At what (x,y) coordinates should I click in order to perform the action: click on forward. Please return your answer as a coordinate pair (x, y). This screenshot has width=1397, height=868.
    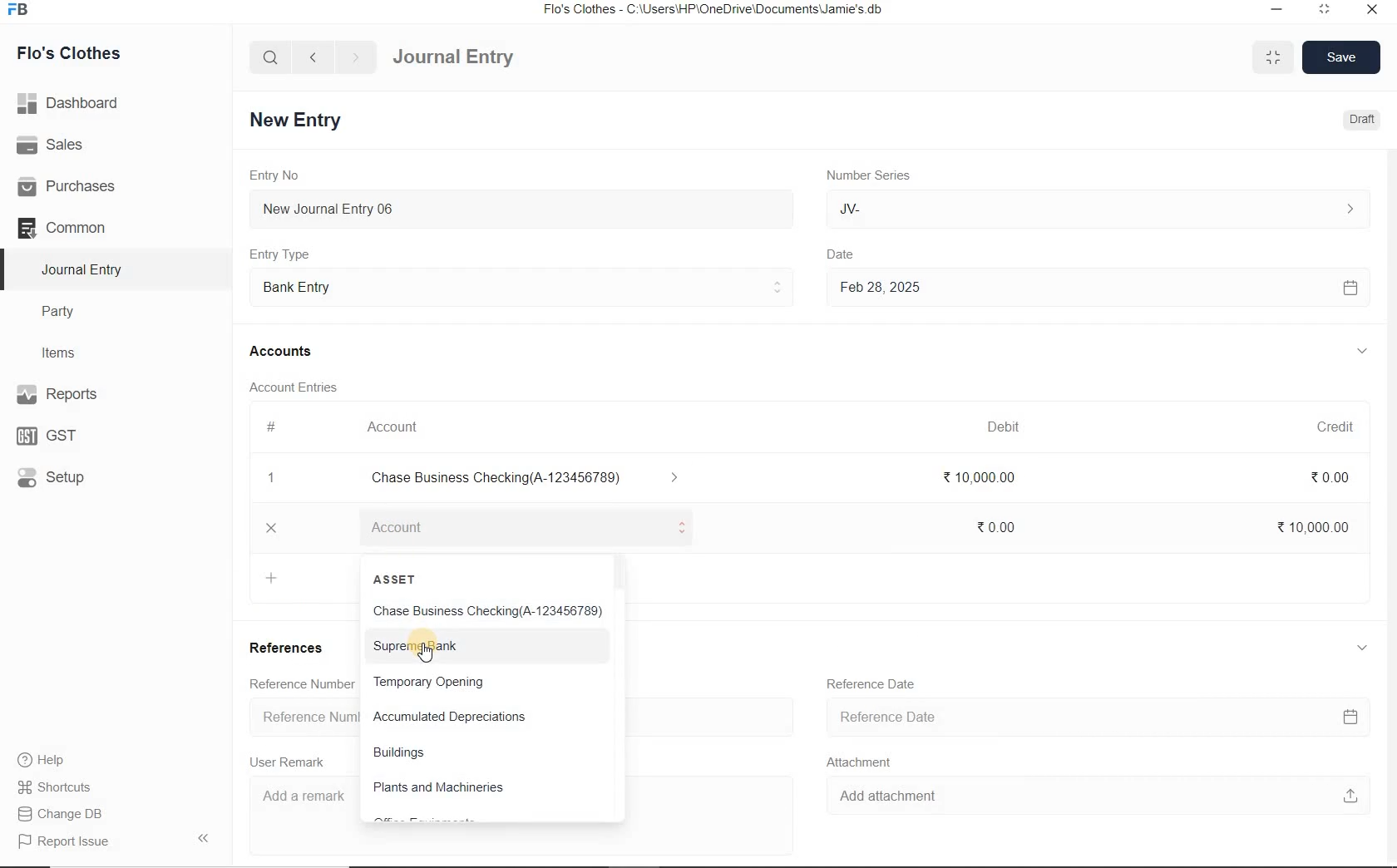
    Looking at the image, I should click on (357, 57).